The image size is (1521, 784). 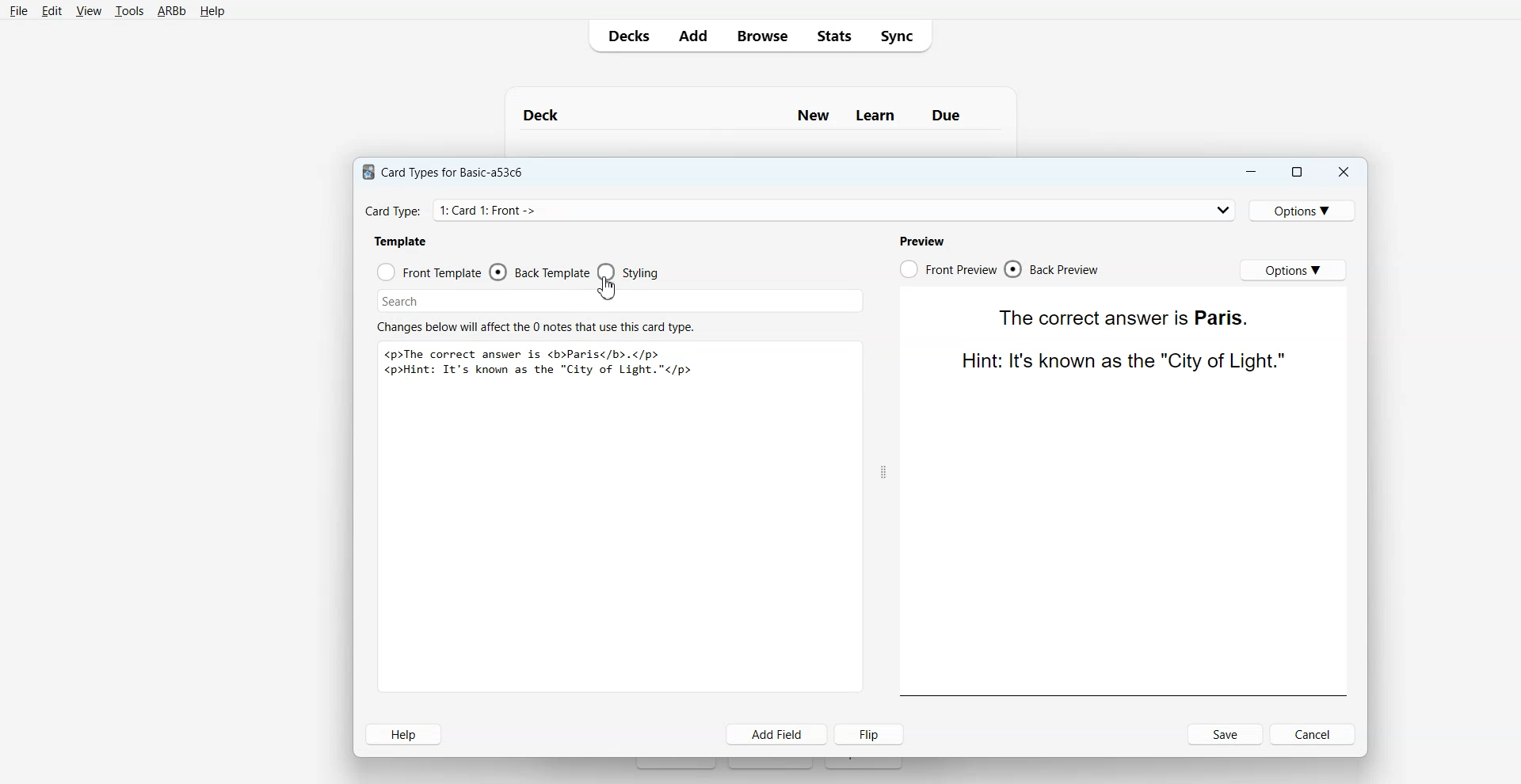 What do you see at coordinates (170, 12) in the screenshot?
I see `ARBb` at bounding box center [170, 12].